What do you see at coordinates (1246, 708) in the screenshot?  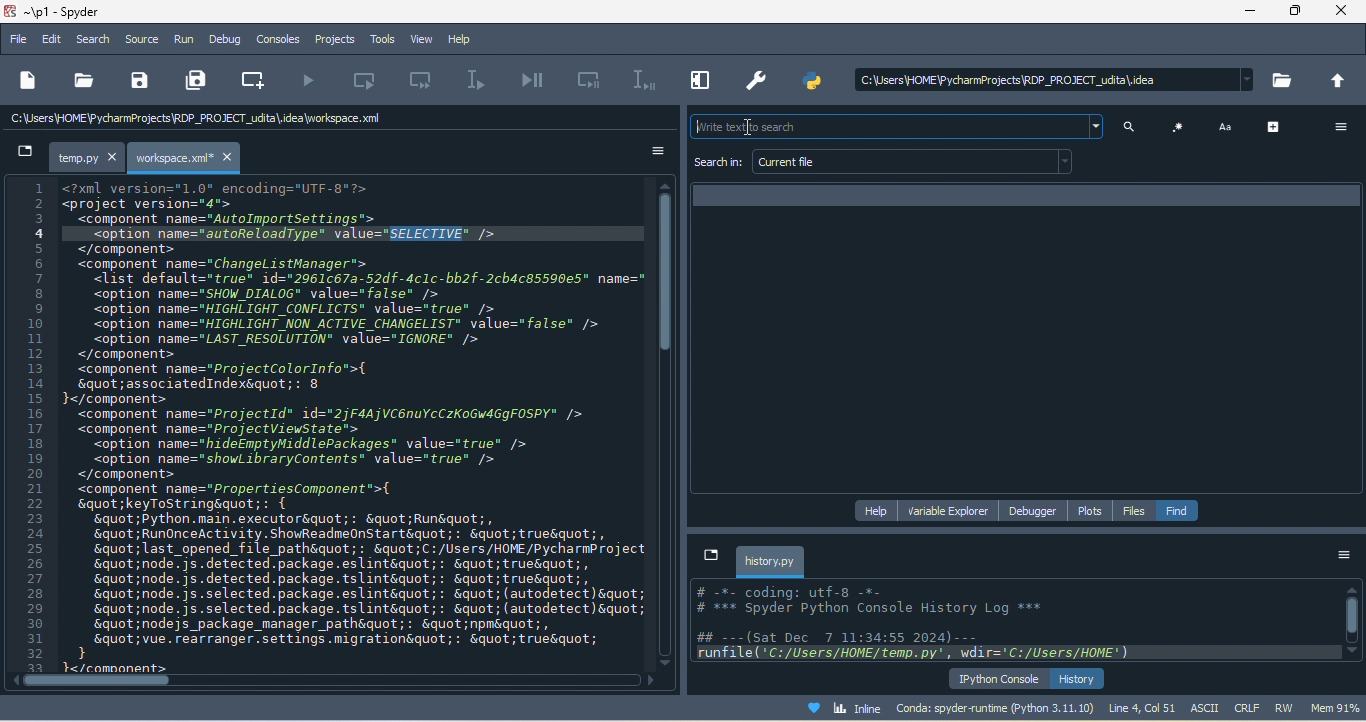 I see `crlf` at bounding box center [1246, 708].